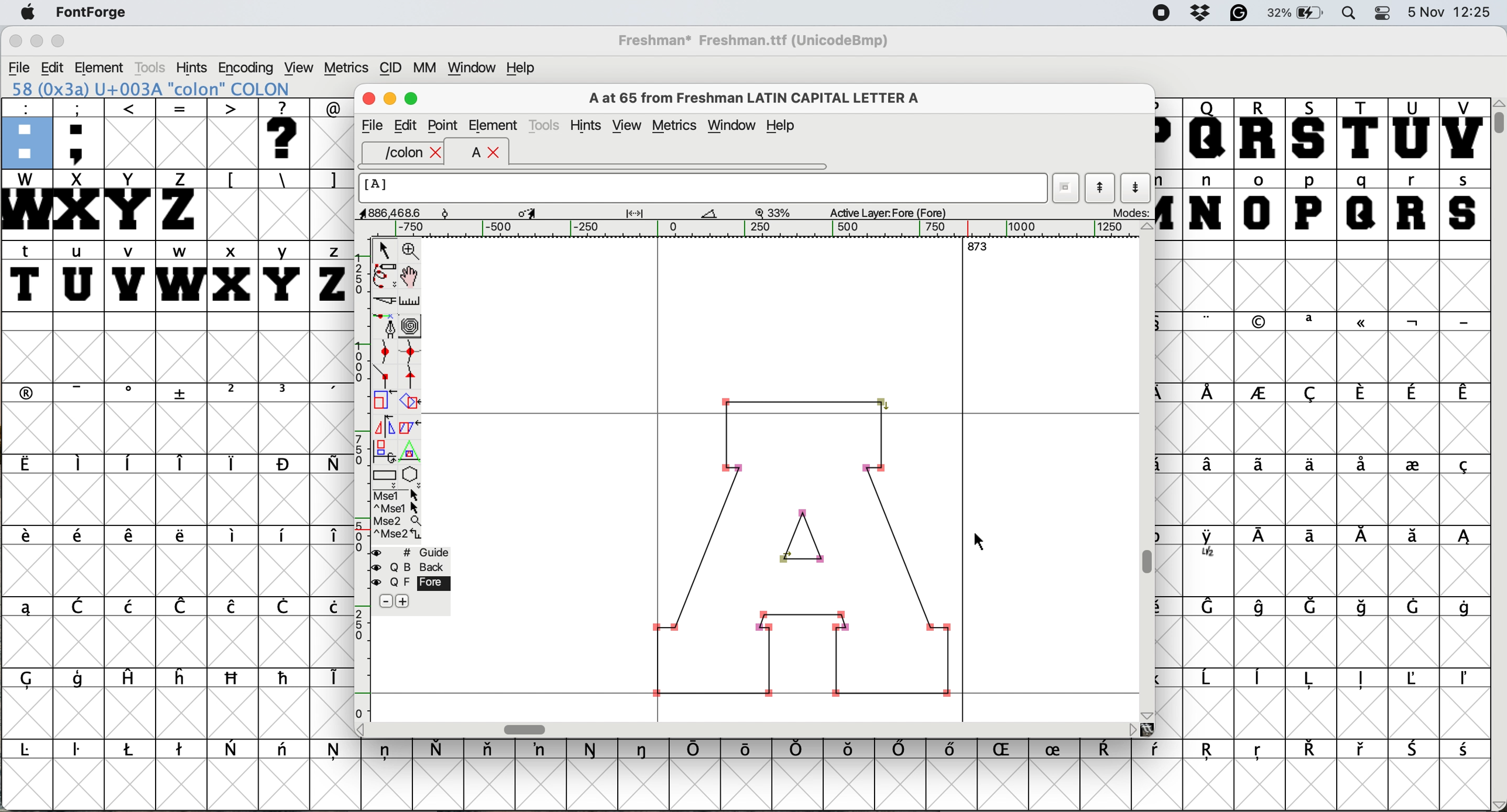  I want to click on symbol, so click(1110, 750).